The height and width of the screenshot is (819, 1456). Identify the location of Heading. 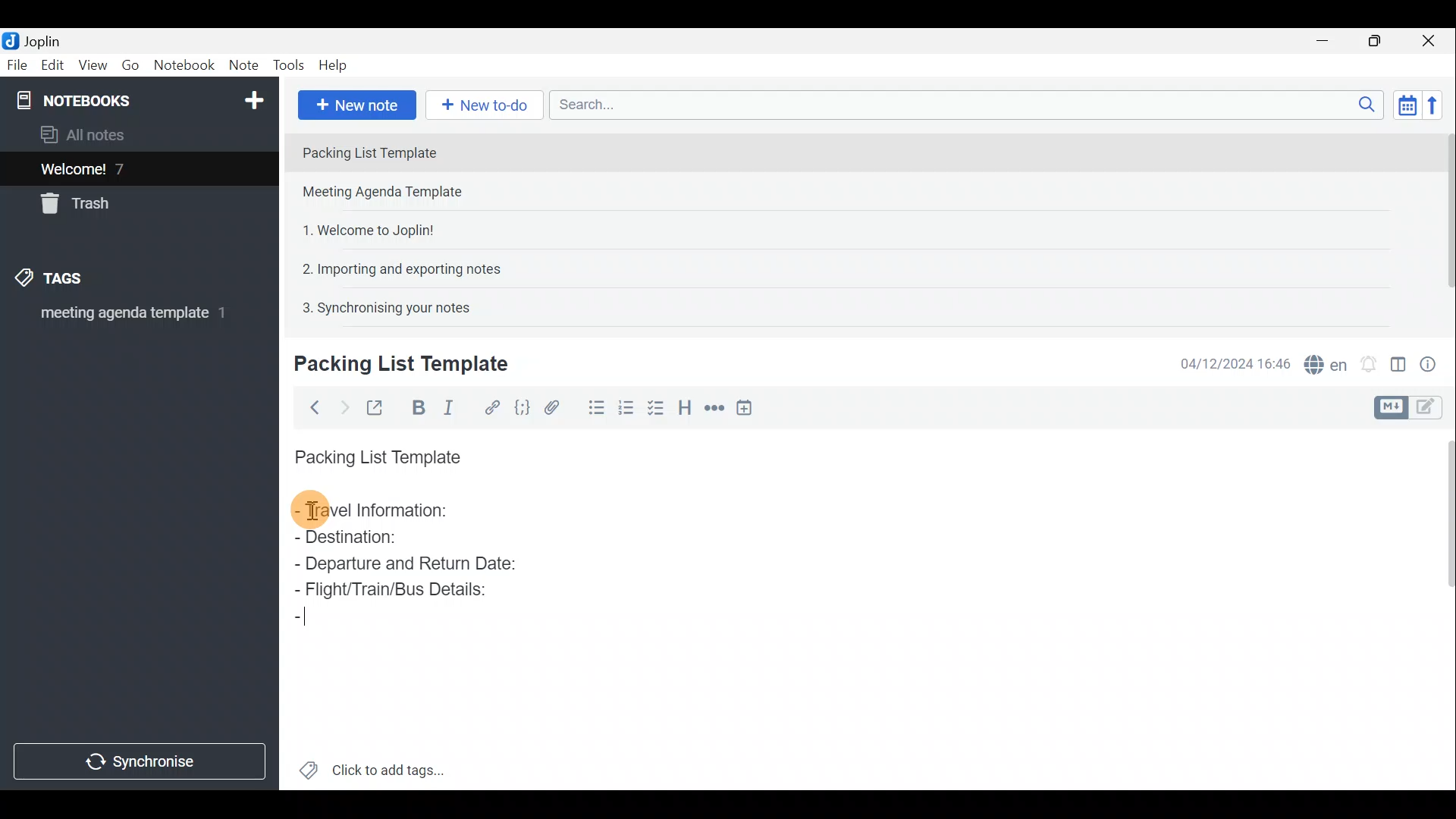
(686, 406).